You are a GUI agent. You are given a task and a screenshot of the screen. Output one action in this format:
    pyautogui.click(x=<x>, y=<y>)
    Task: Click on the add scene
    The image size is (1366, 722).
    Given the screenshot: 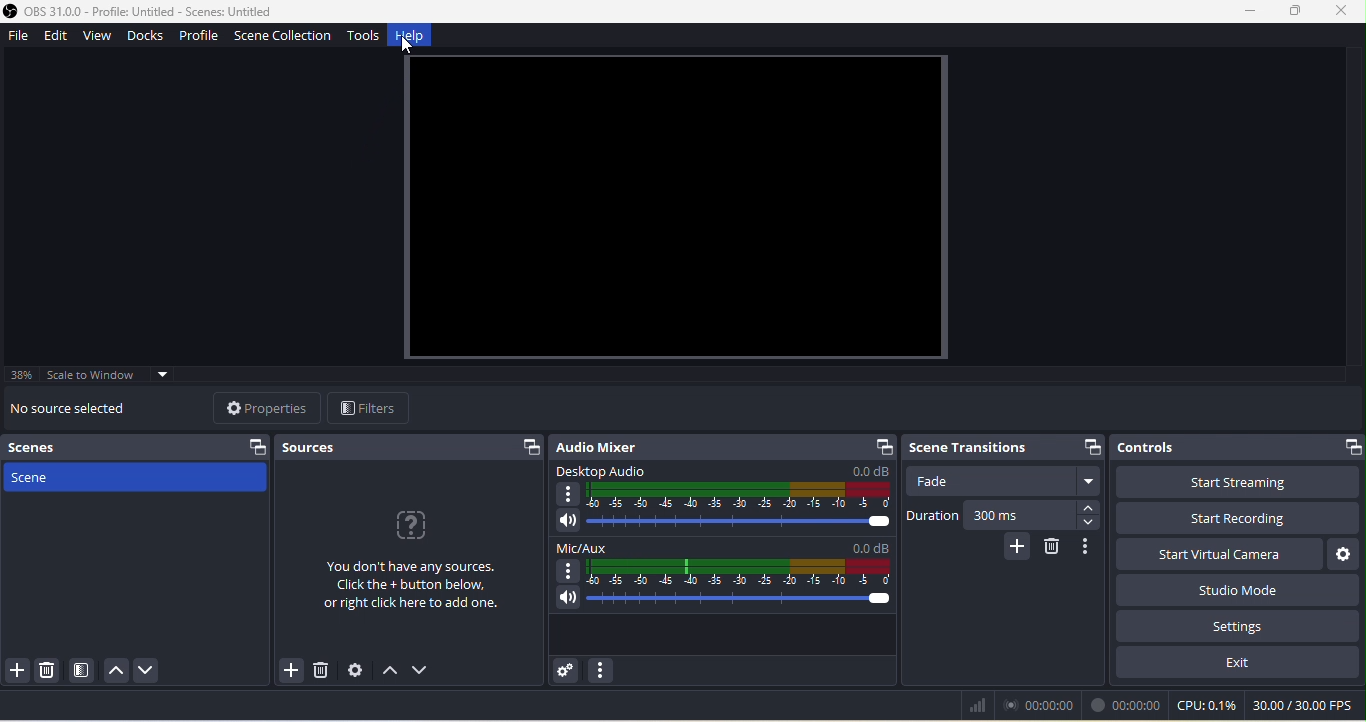 What is the action you would take?
    pyautogui.click(x=17, y=673)
    